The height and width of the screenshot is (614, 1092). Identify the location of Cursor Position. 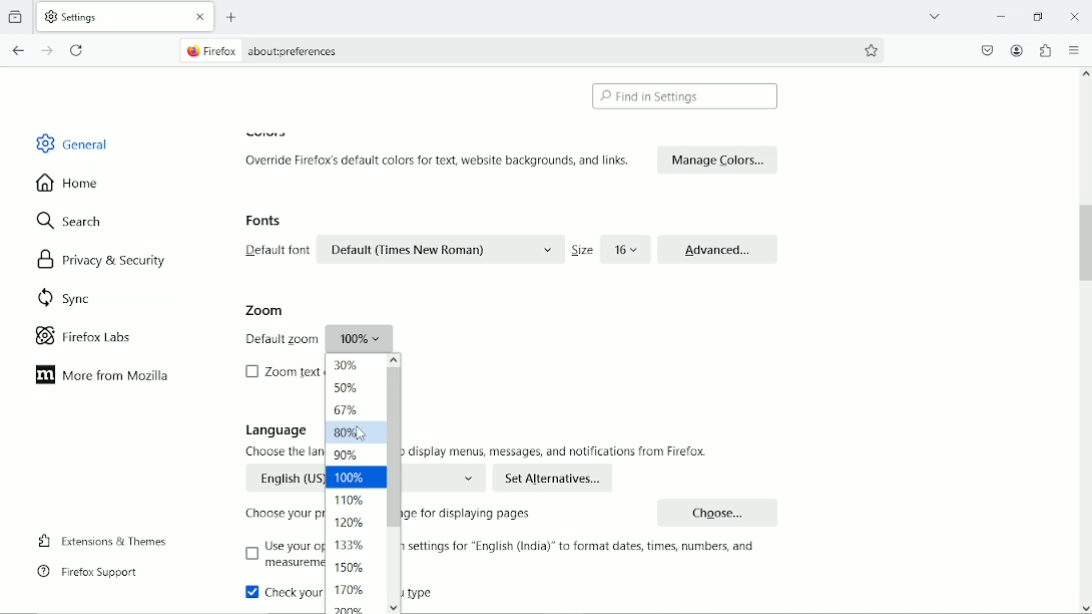
(359, 433).